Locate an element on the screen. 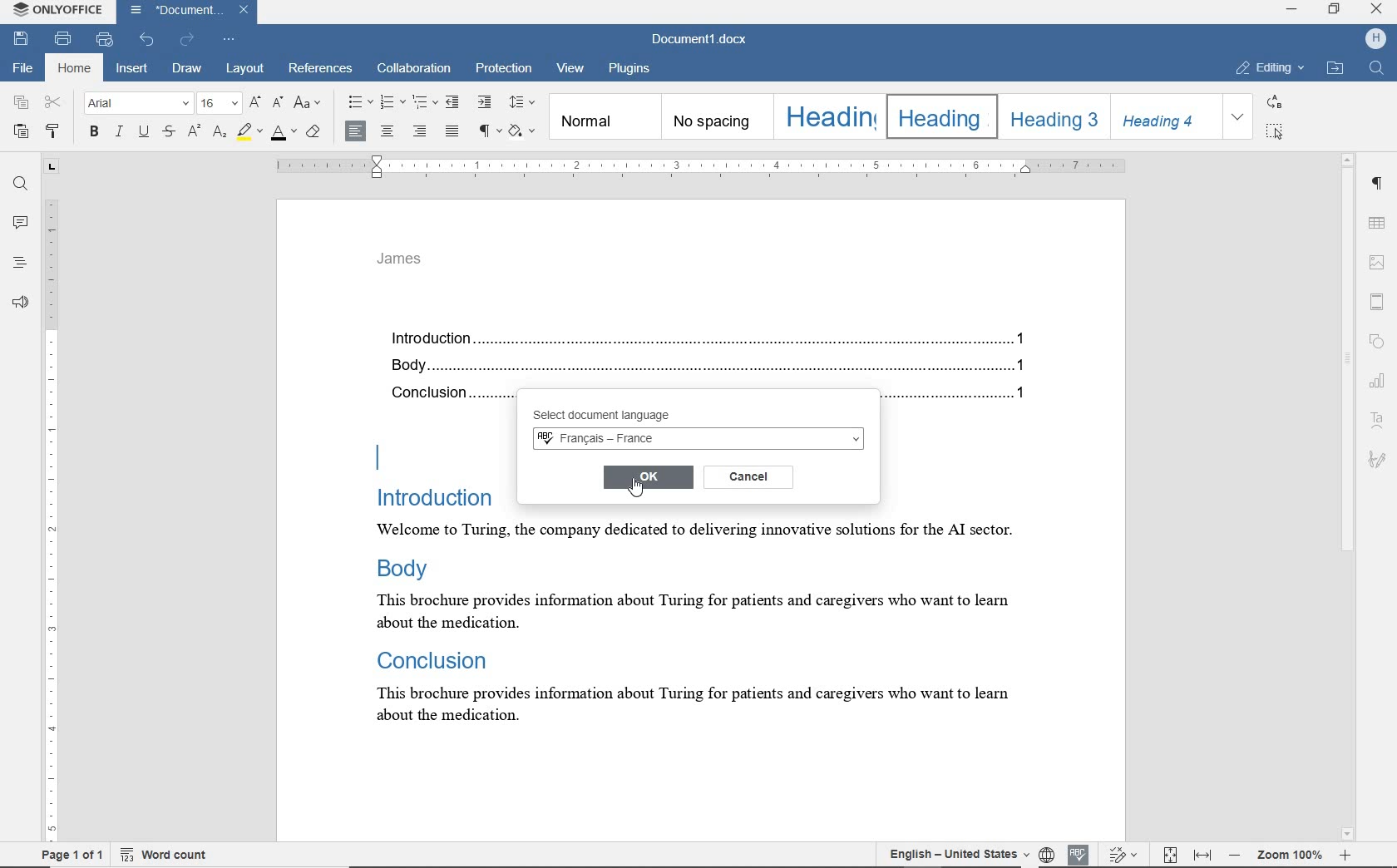 This screenshot has width=1397, height=868. ruler is located at coordinates (699, 166).